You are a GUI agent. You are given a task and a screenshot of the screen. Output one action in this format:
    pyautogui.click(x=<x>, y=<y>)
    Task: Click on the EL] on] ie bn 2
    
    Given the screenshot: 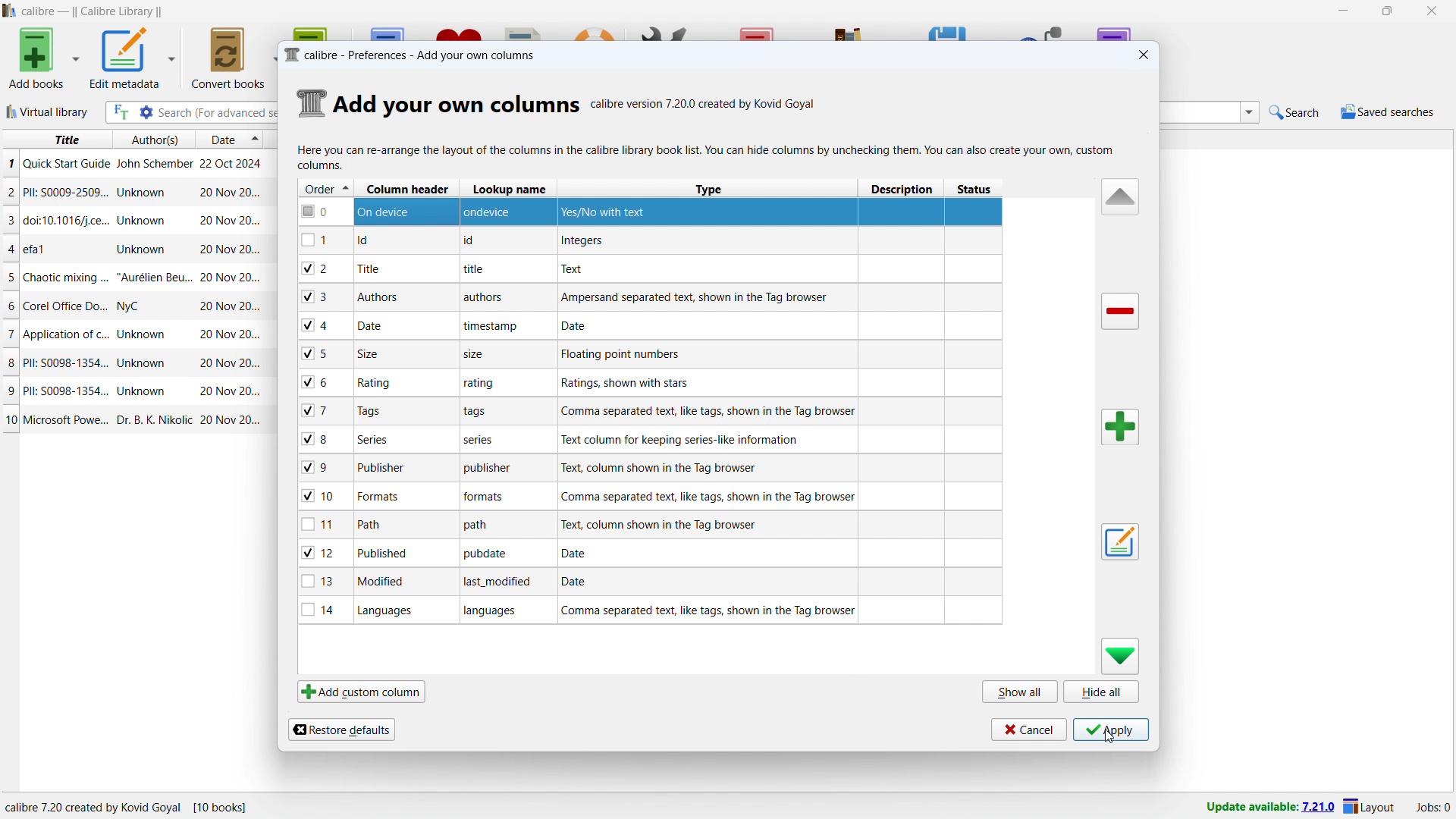 What is the action you would take?
    pyautogui.click(x=650, y=239)
    